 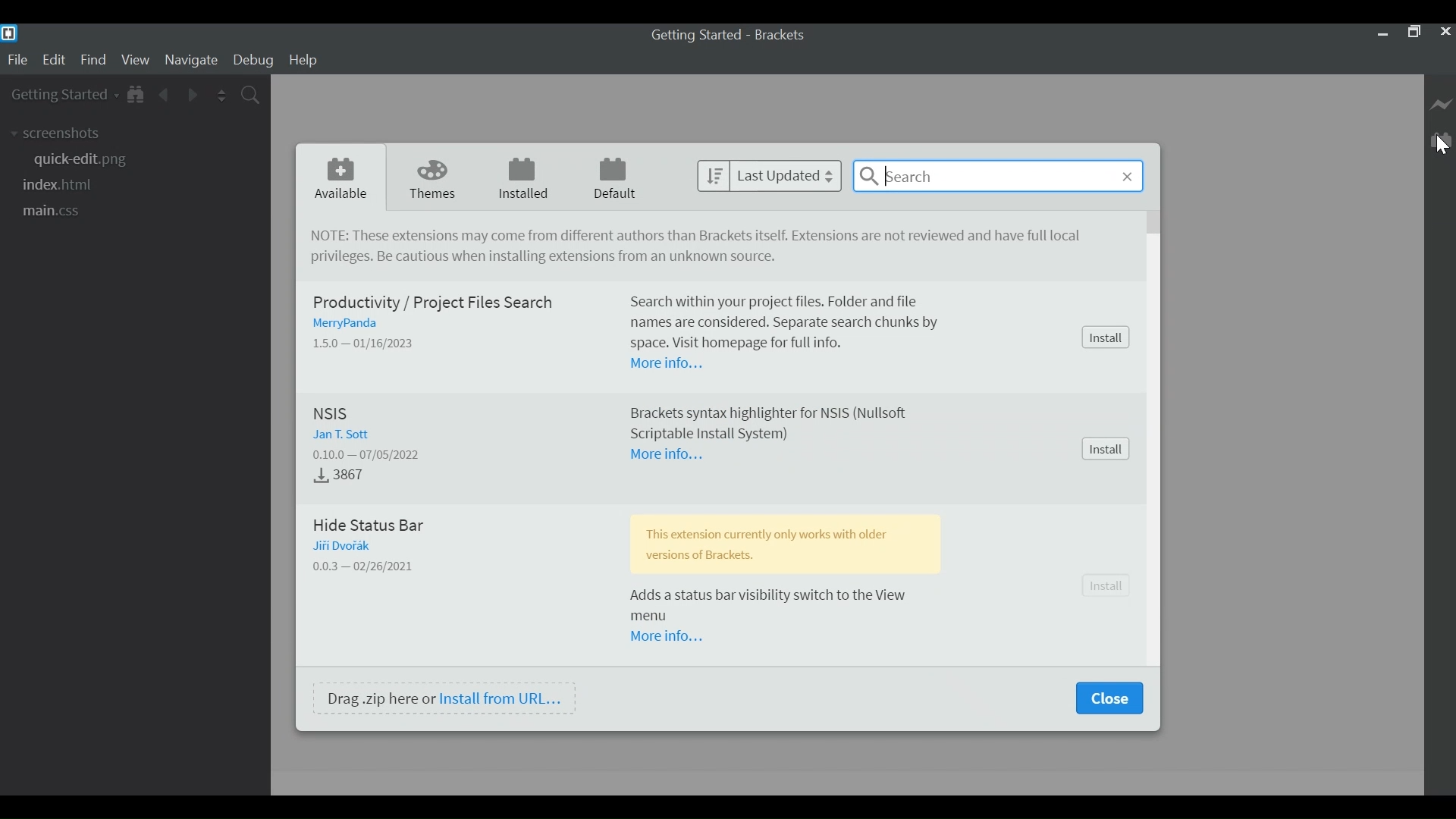 What do you see at coordinates (1106, 449) in the screenshot?
I see `Install` at bounding box center [1106, 449].